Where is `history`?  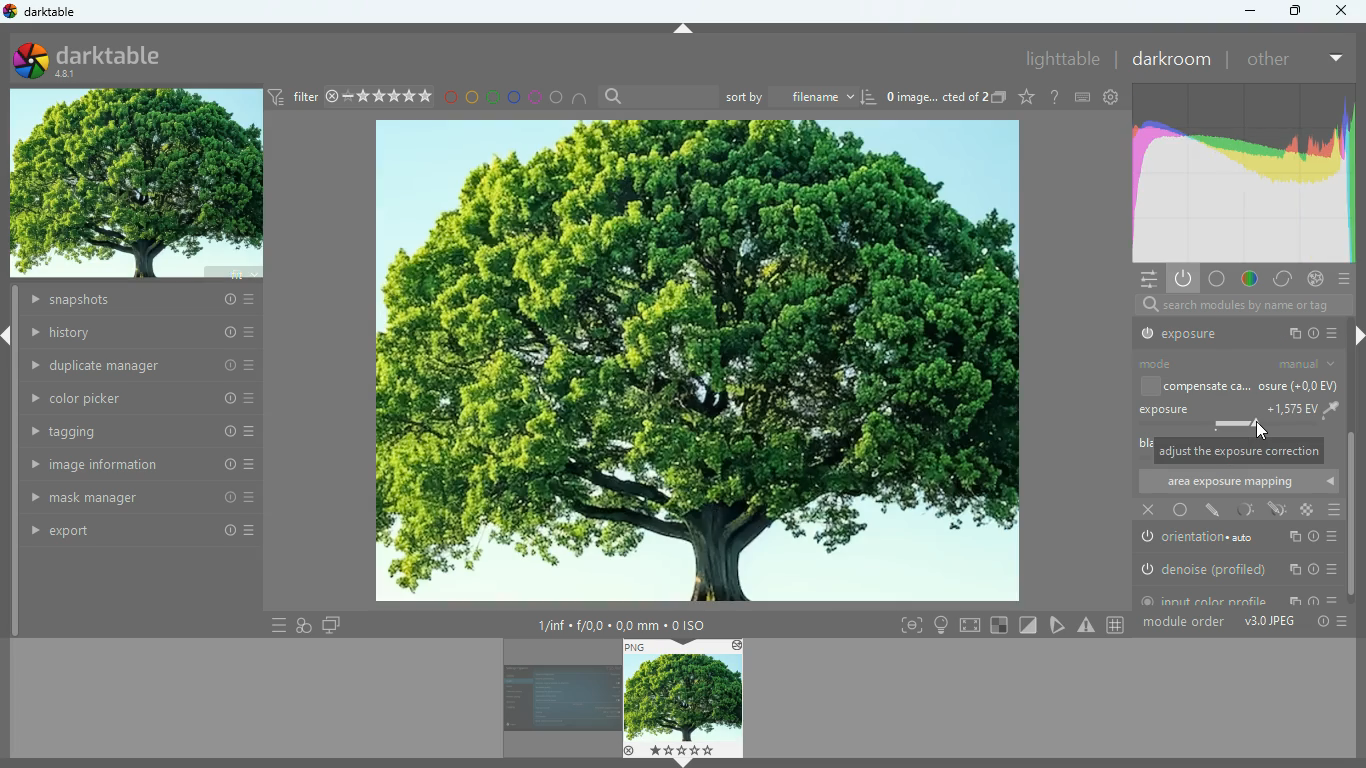
history is located at coordinates (134, 301).